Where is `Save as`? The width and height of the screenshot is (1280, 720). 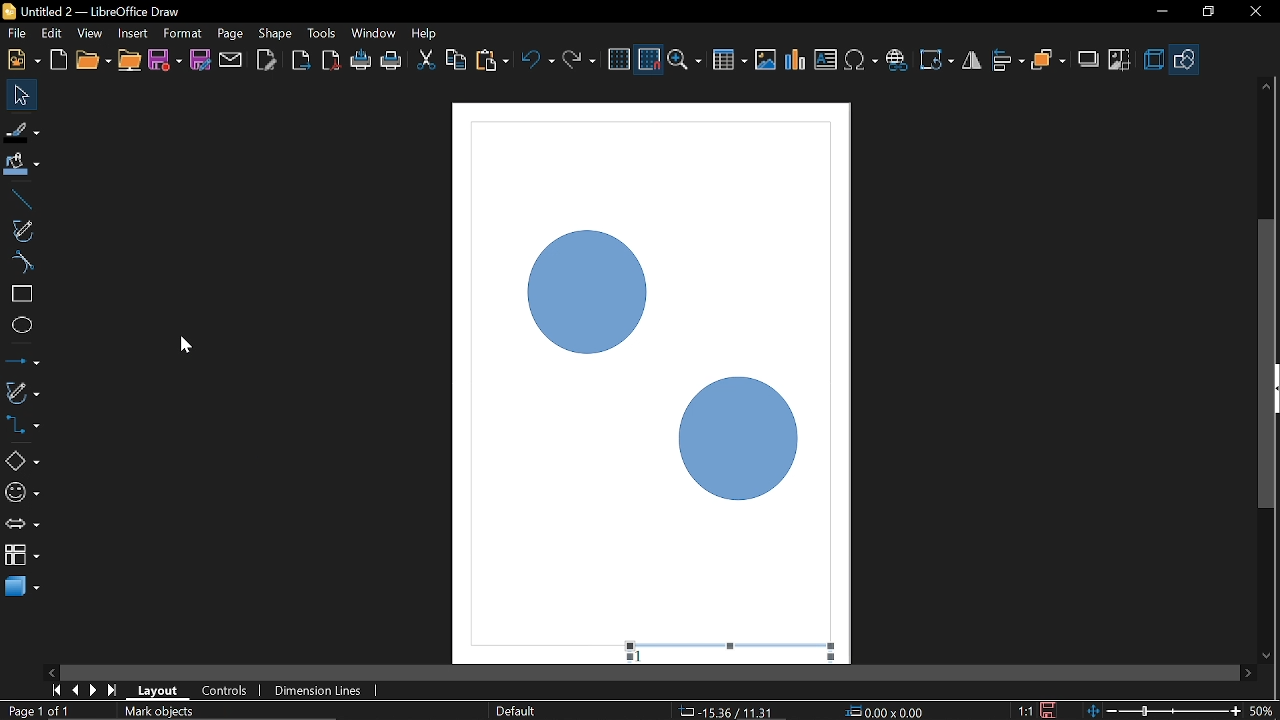 Save as is located at coordinates (200, 60).